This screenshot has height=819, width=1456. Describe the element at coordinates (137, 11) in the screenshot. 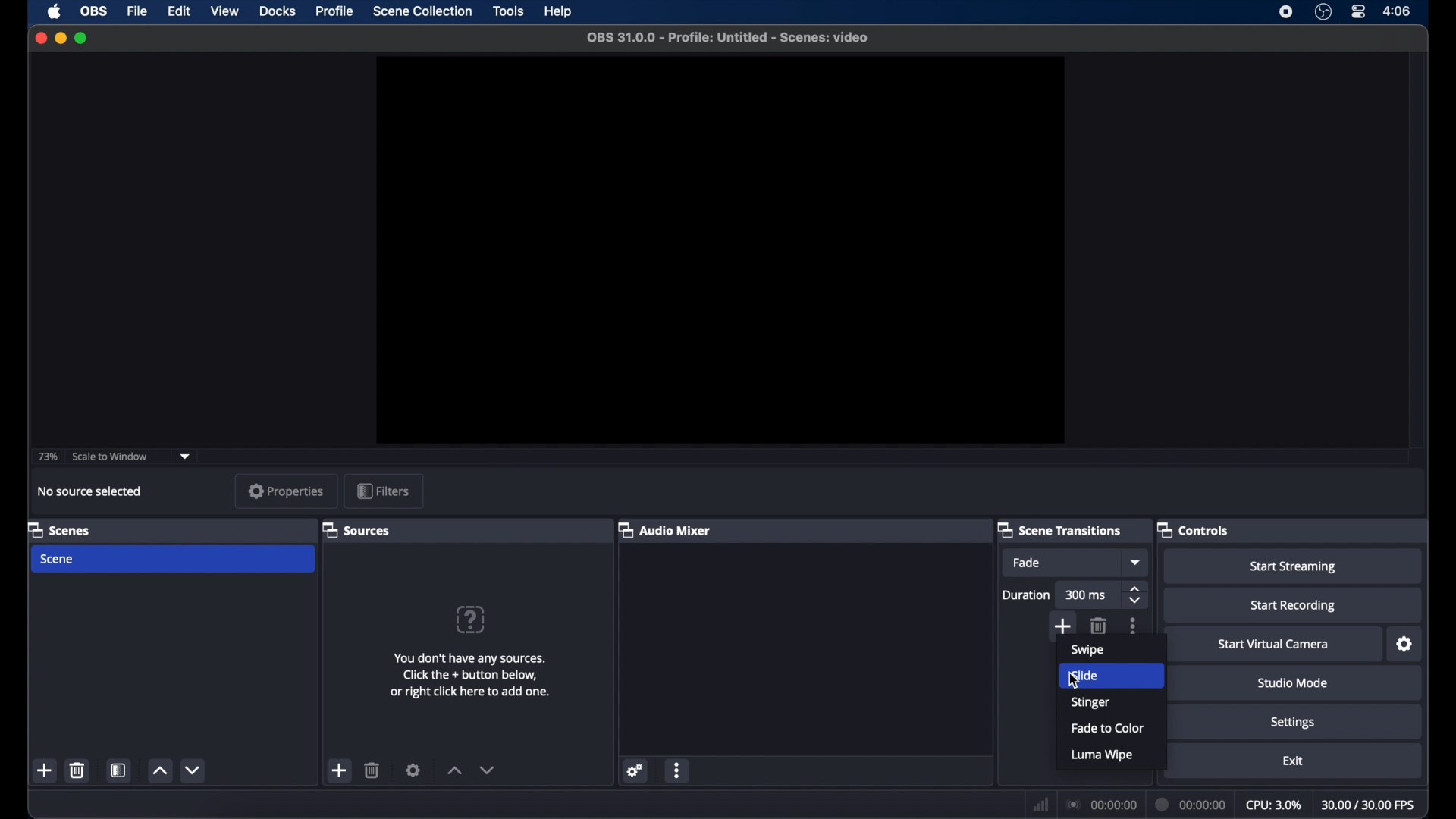

I see `file` at that location.